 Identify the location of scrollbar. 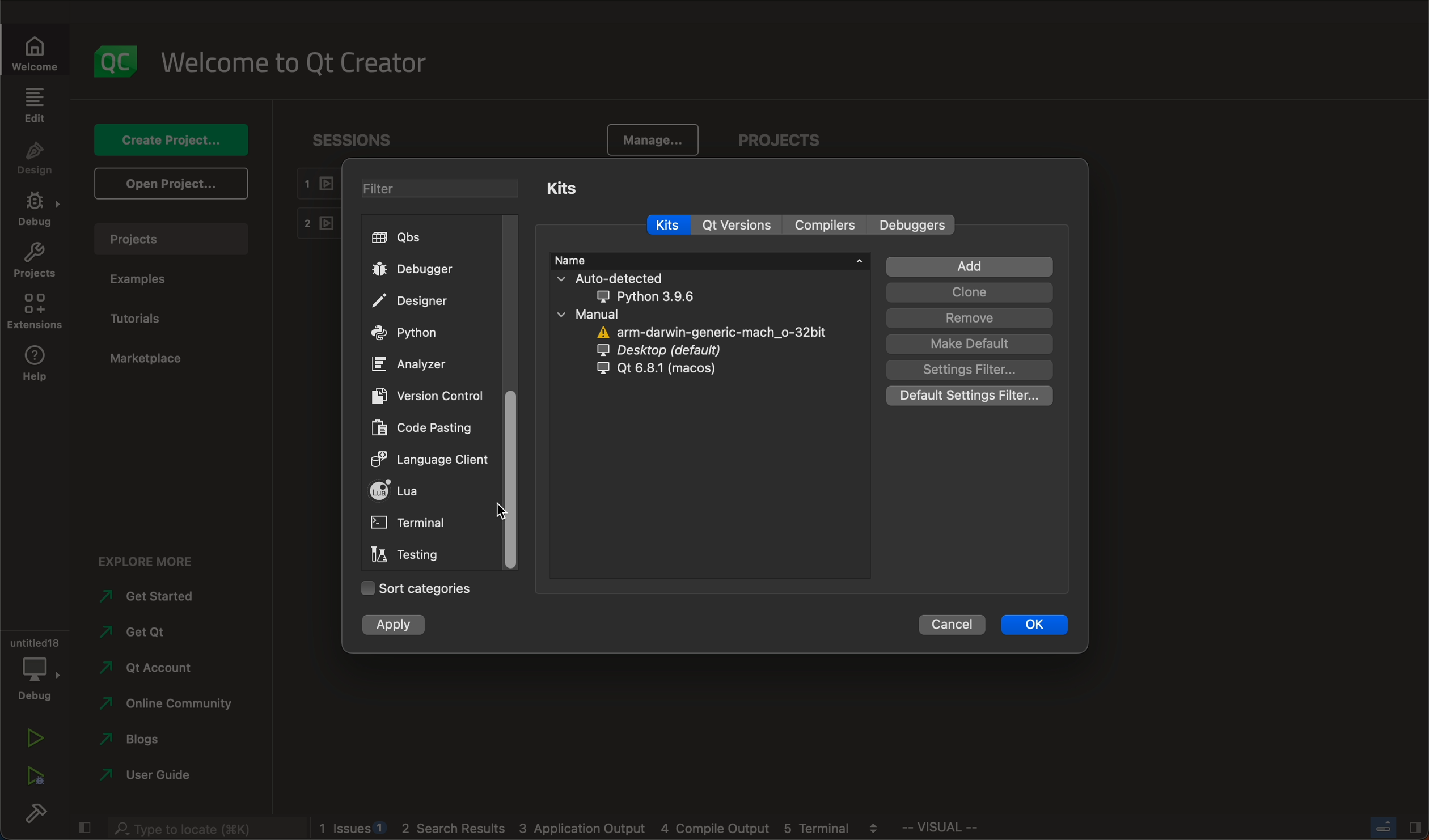
(512, 479).